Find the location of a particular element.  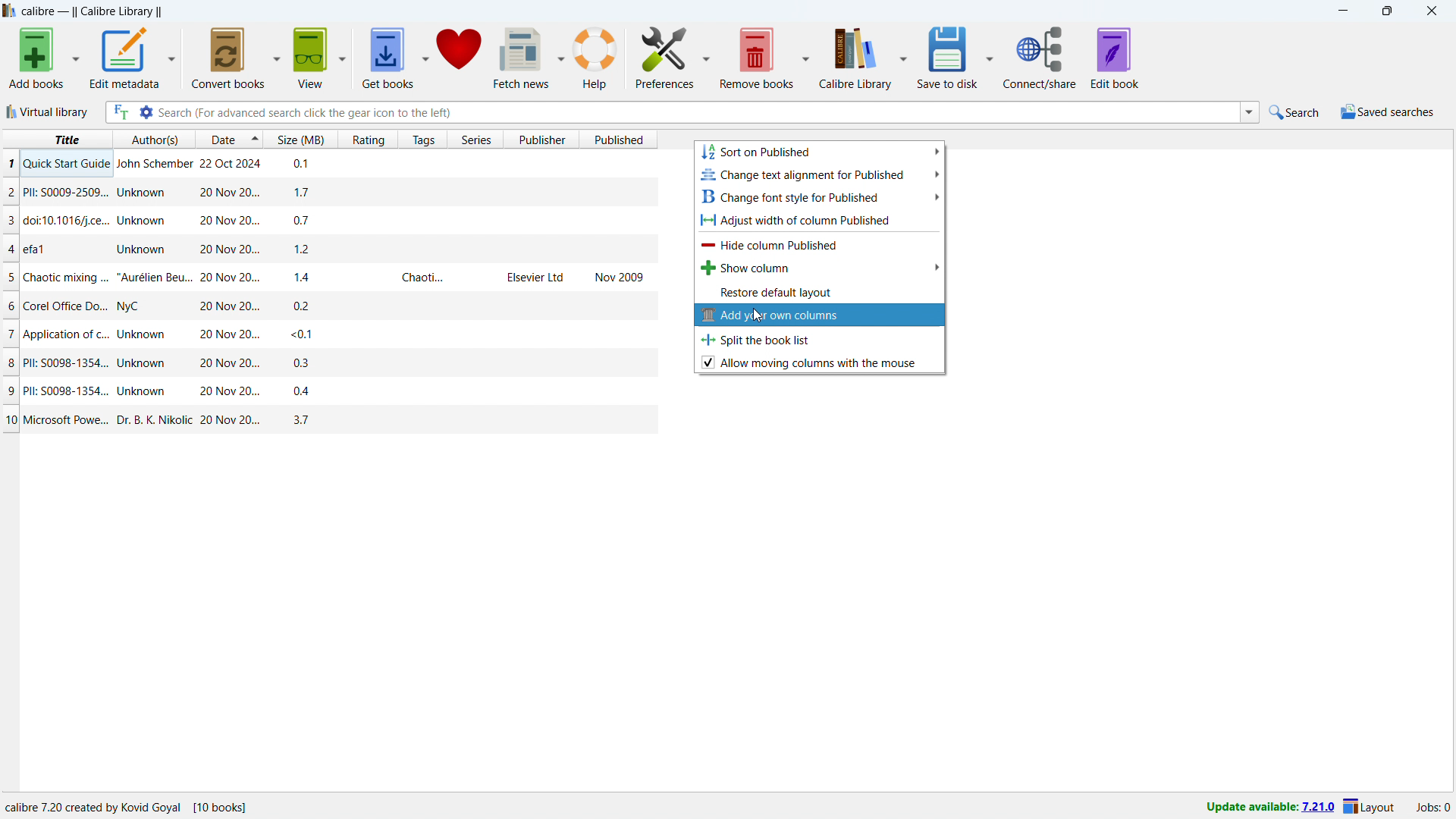

edit metadata options is located at coordinates (172, 55).